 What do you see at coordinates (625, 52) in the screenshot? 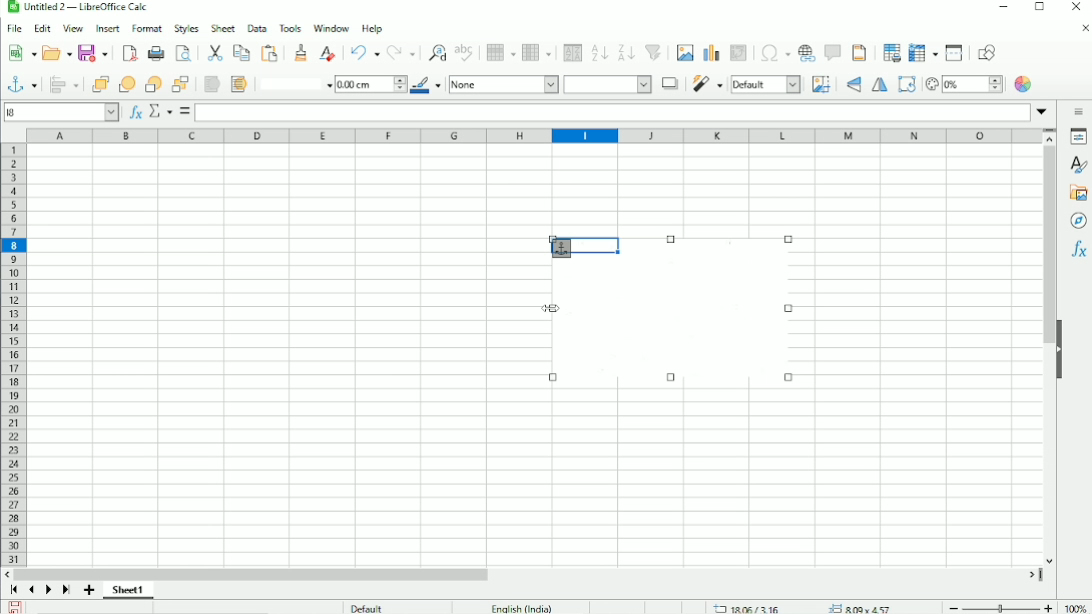
I see `Sort descending` at bounding box center [625, 52].